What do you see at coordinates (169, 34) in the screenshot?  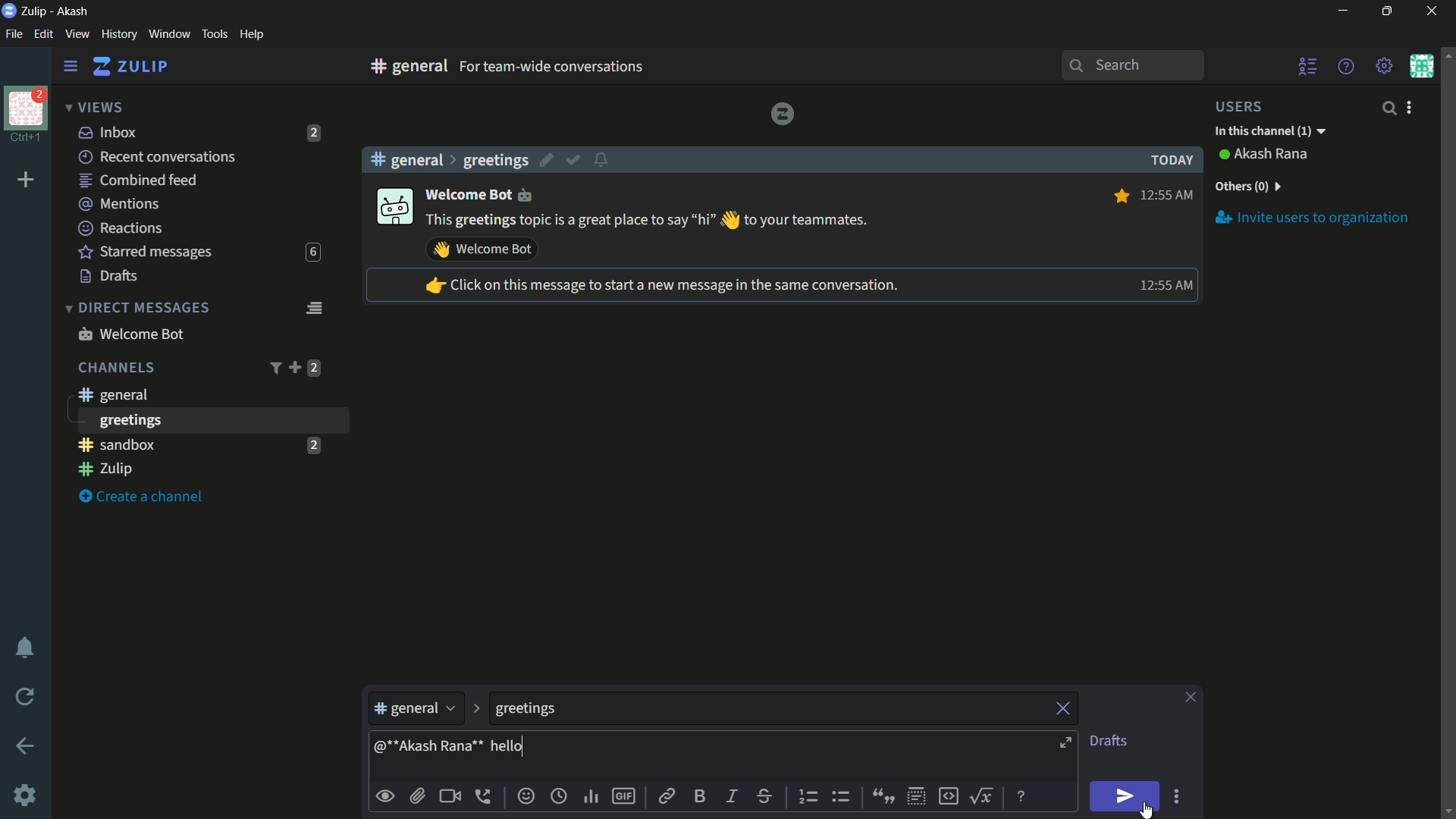 I see `window menu` at bounding box center [169, 34].